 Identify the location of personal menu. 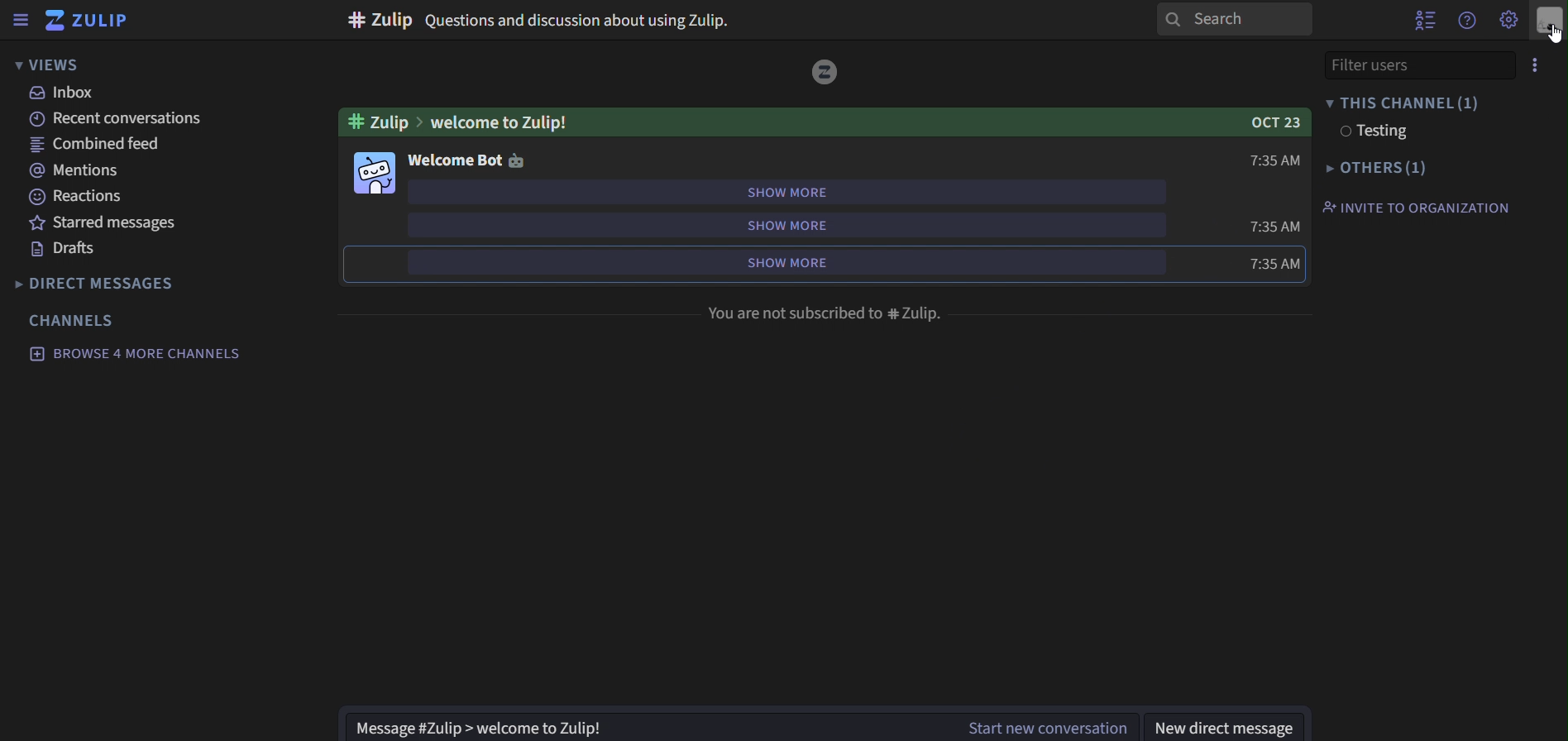
(1551, 22).